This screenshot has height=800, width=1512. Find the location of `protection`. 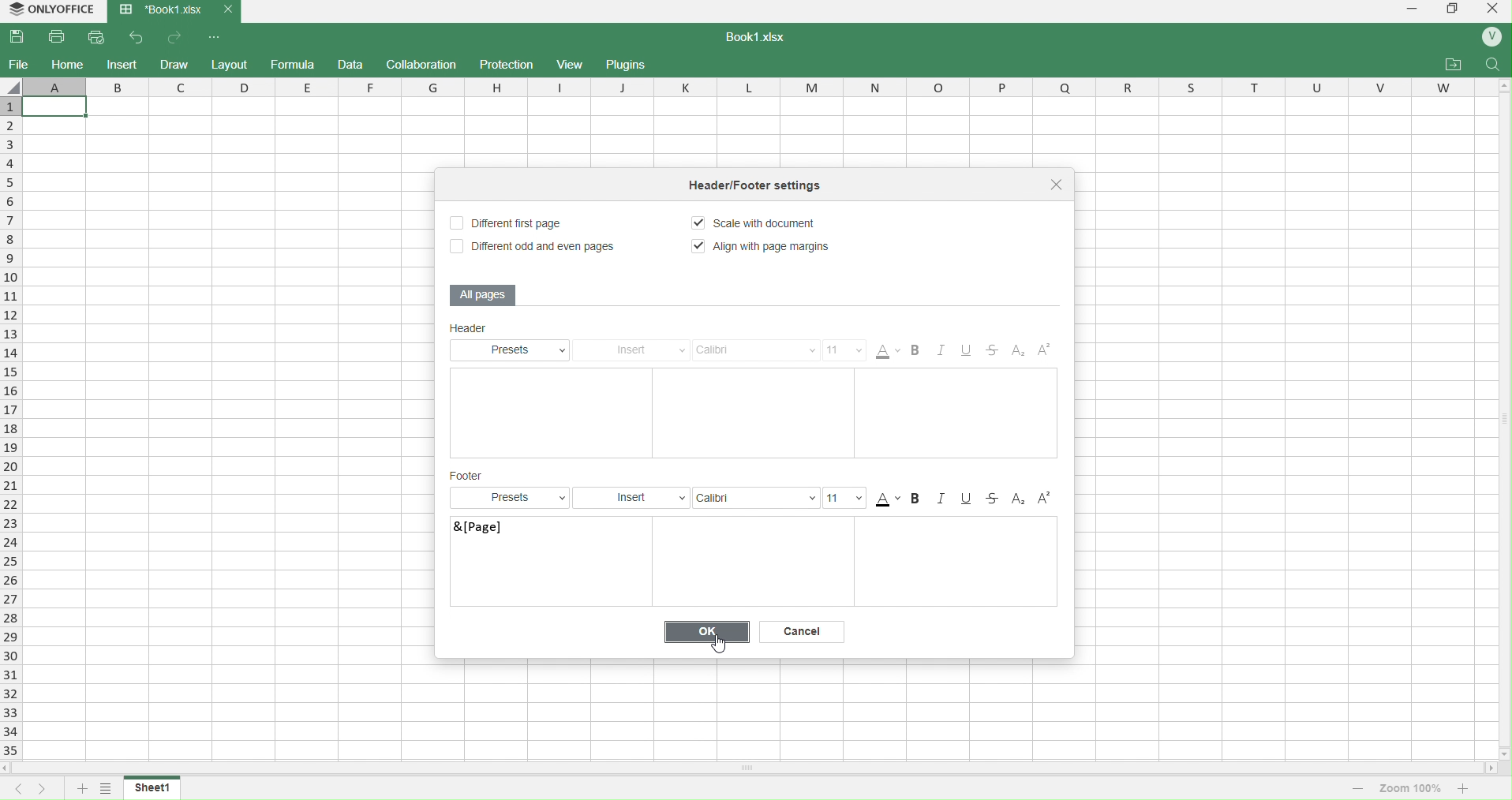

protection is located at coordinates (503, 64).